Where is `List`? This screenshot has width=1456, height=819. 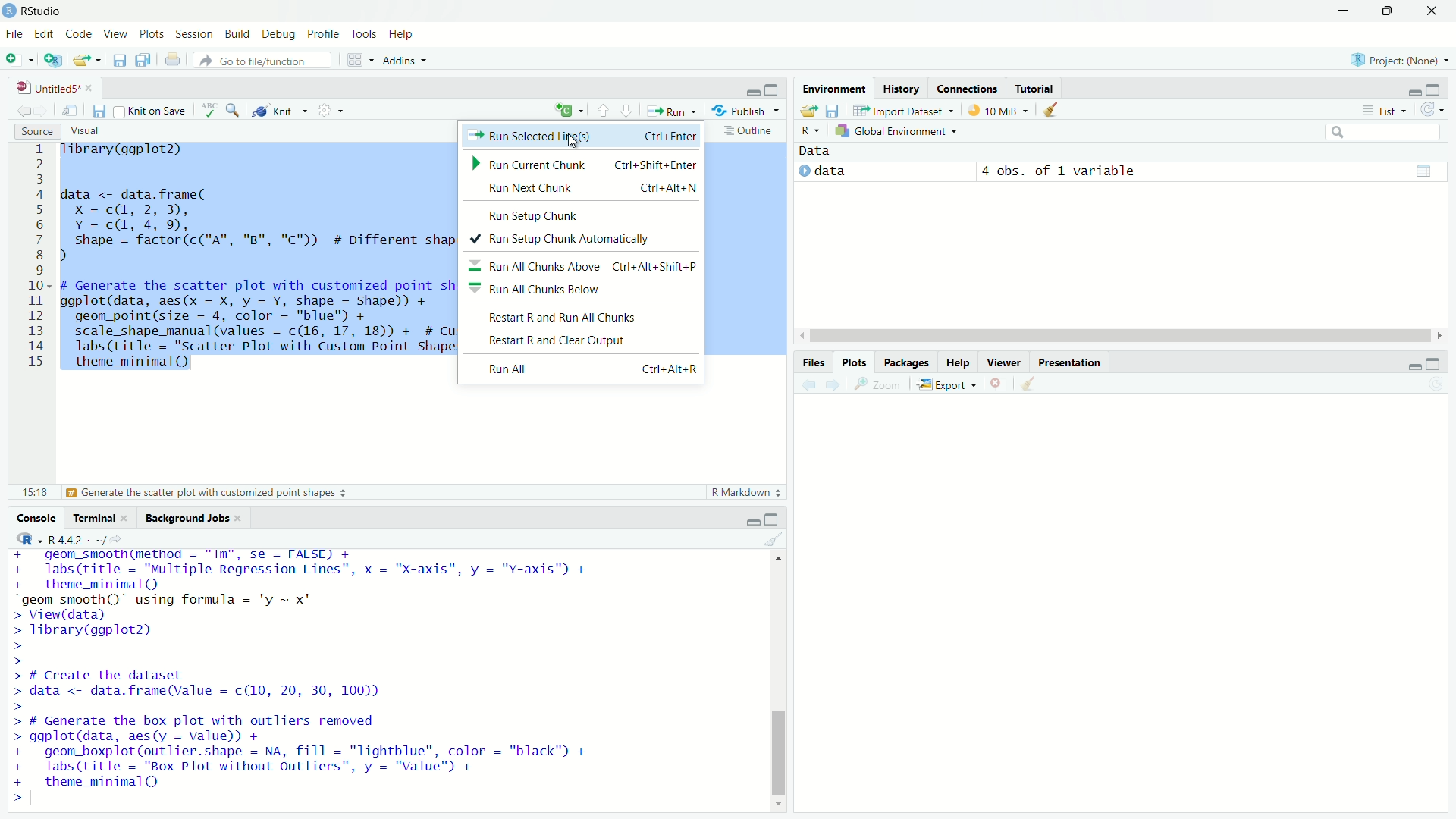 List is located at coordinates (1382, 109).